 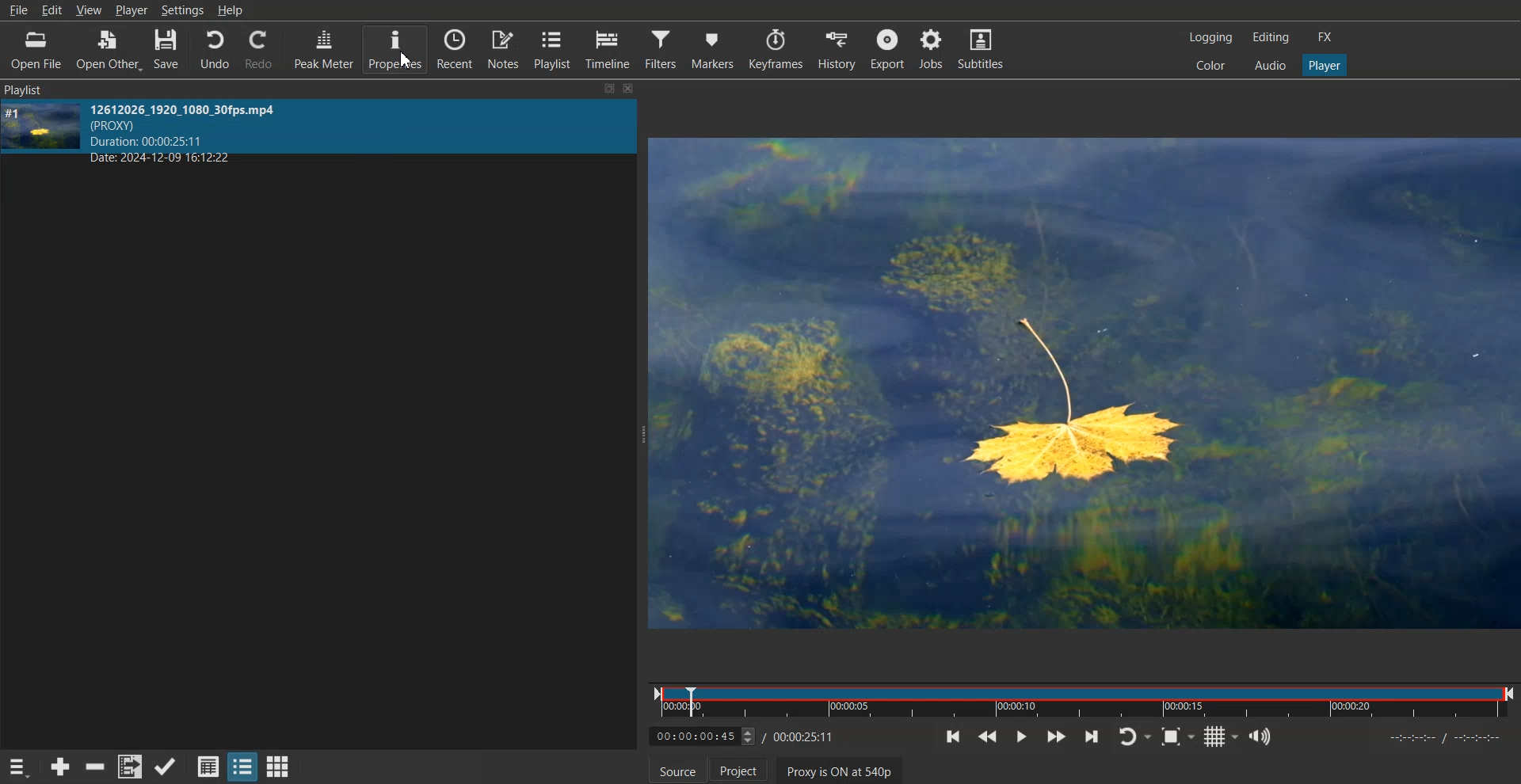 I want to click on Keyframes, so click(x=776, y=48).